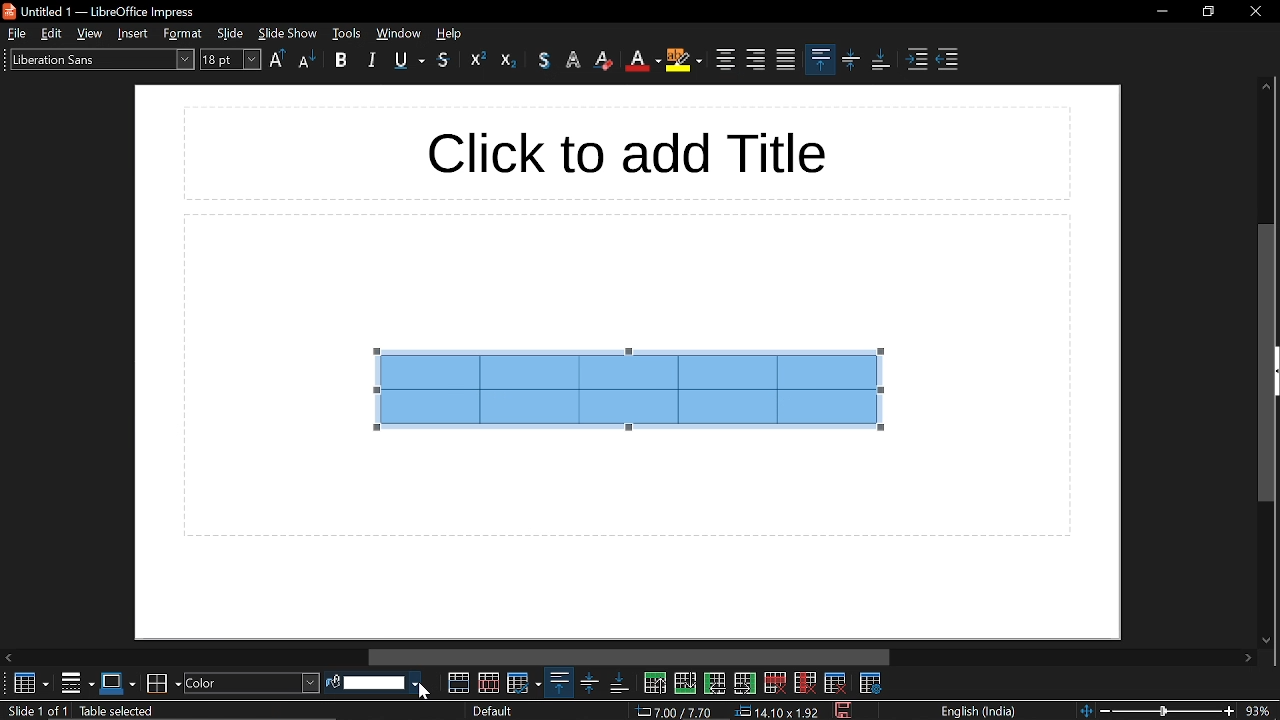 This screenshot has width=1280, height=720. What do you see at coordinates (836, 682) in the screenshot?
I see `delete table` at bounding box center [836, 682].